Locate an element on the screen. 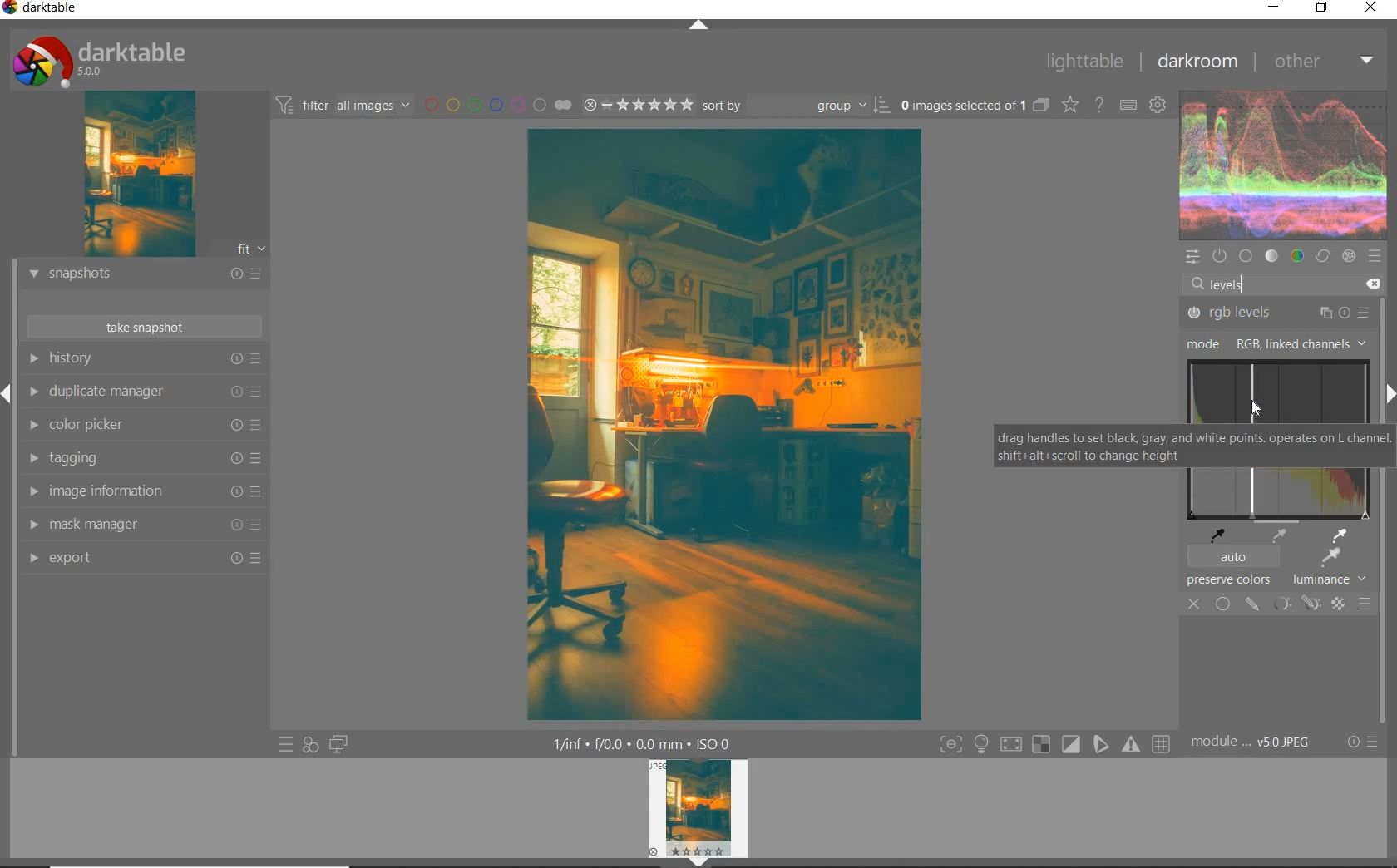 This screenshot has height=868, width=1397. drag handles to set black, gray, and white points operates on L channel. shift+alt+scroll to change height is located at coordinates (1182, 446).